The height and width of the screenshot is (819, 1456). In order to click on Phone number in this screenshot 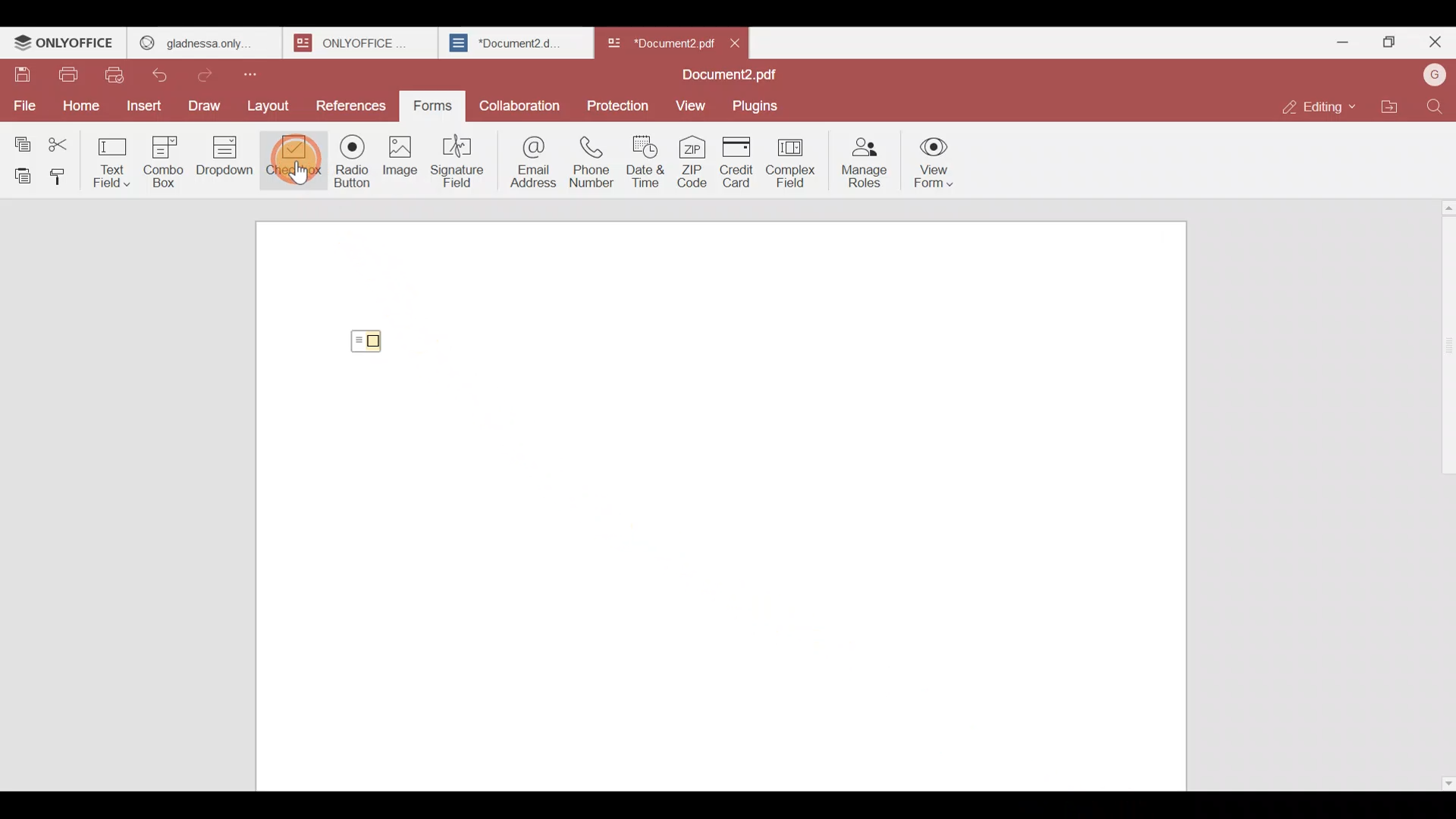, I will do `click(593, 162)`.